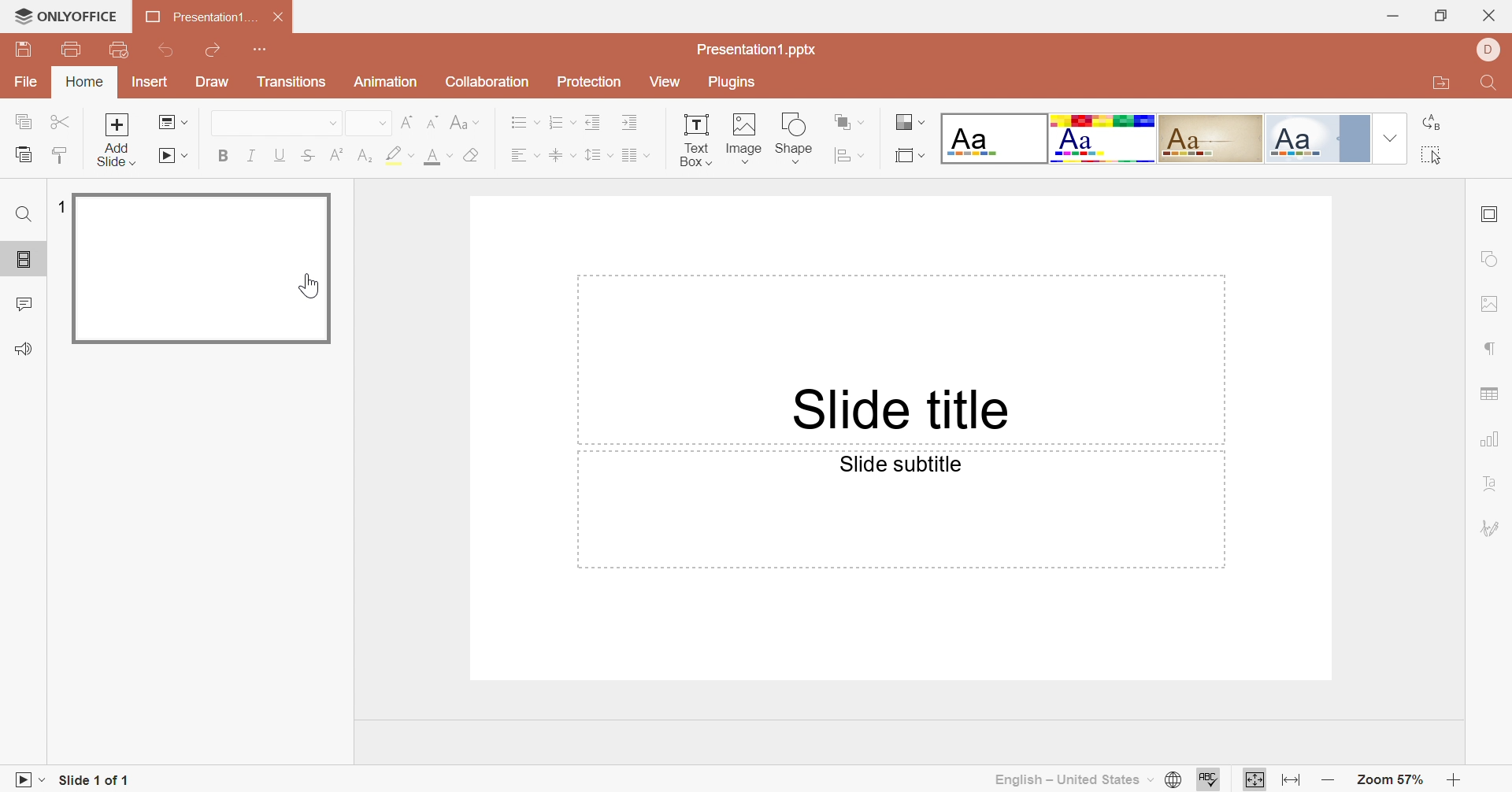 The image size is (1512, 792). I want to click on Drop Down, so click(921, 121).